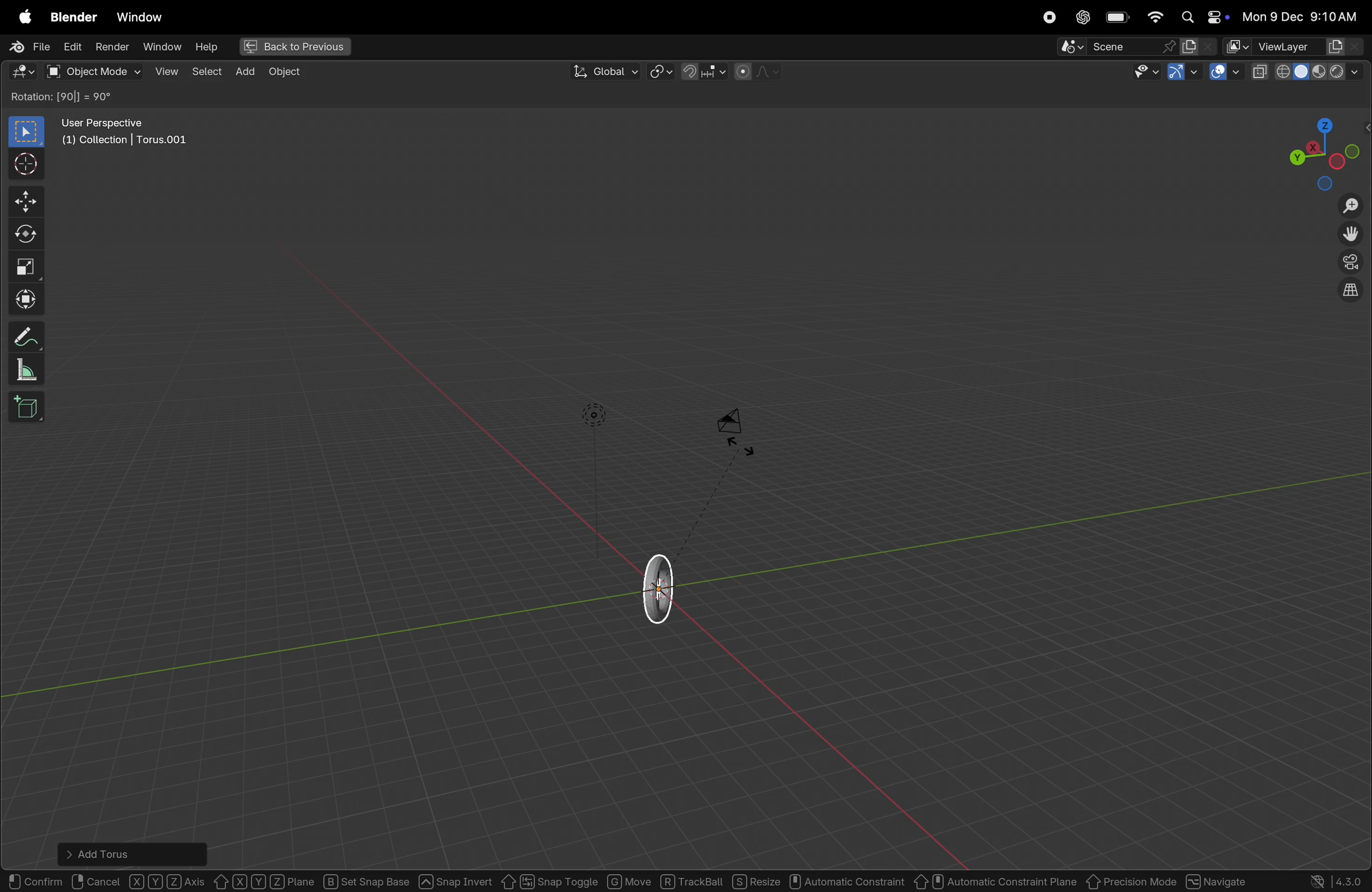 This screenshot has height=892, width=1372. I want to click on view layers, so click(1310, 47).